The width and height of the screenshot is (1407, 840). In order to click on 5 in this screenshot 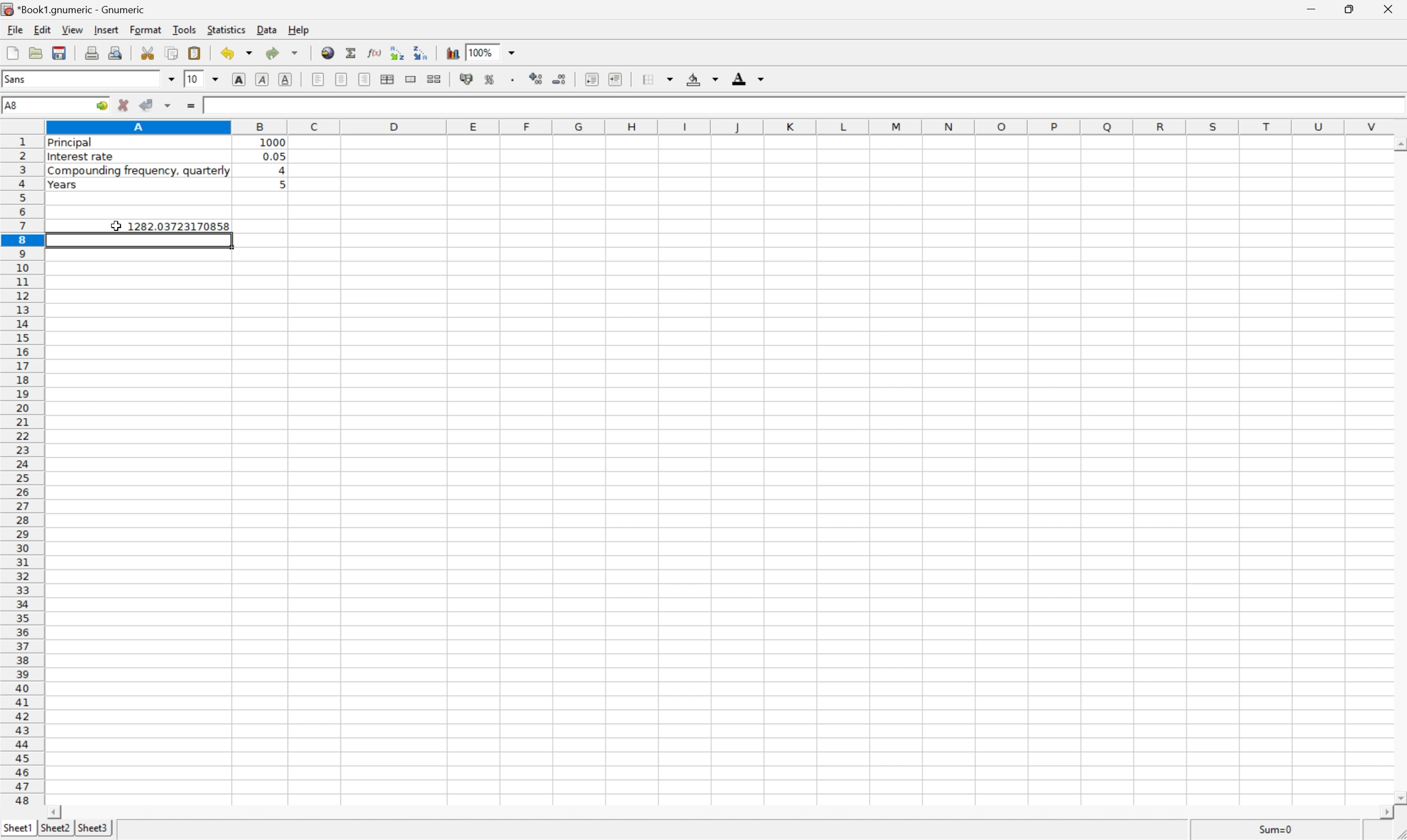, I will do `click(280, 183)`.